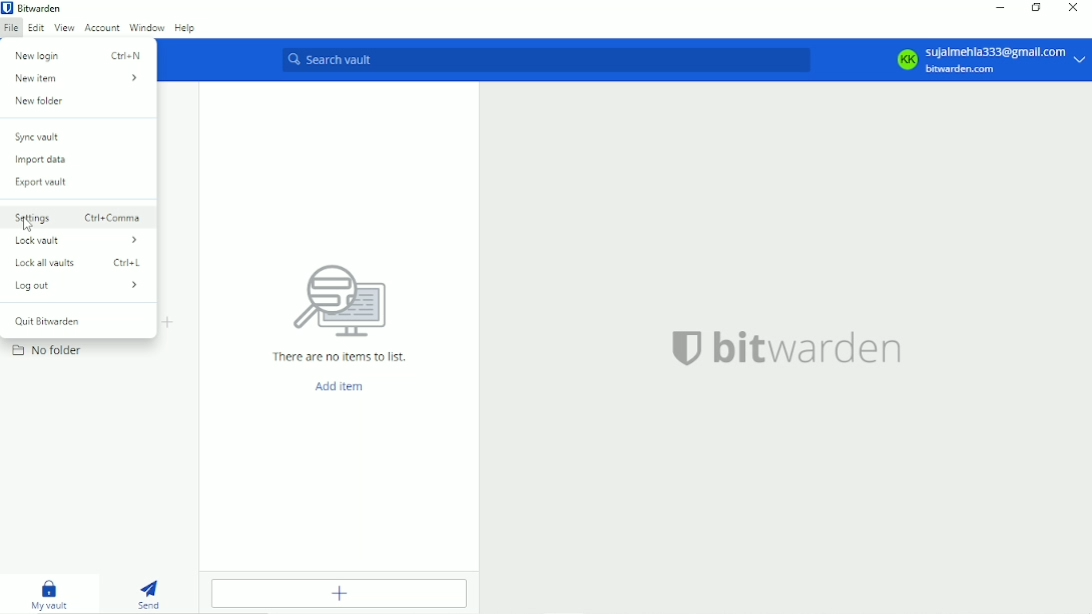 This screenshot has height=614, width=1092. Describe the element at coordinates (79, 263) in the screenshot. I see `Lock all vaults` at that location.